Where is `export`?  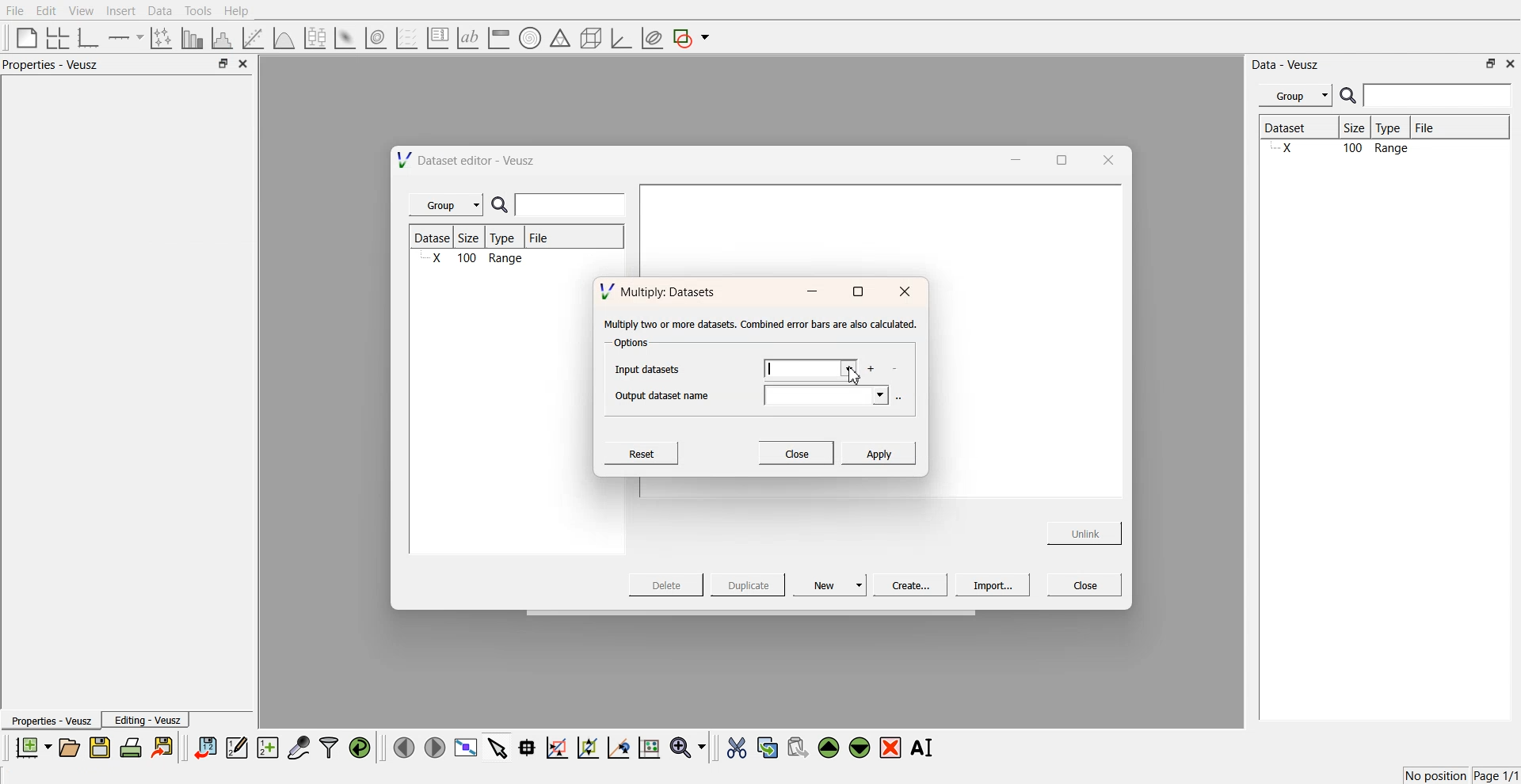 export is located at coordinates (164, 747).